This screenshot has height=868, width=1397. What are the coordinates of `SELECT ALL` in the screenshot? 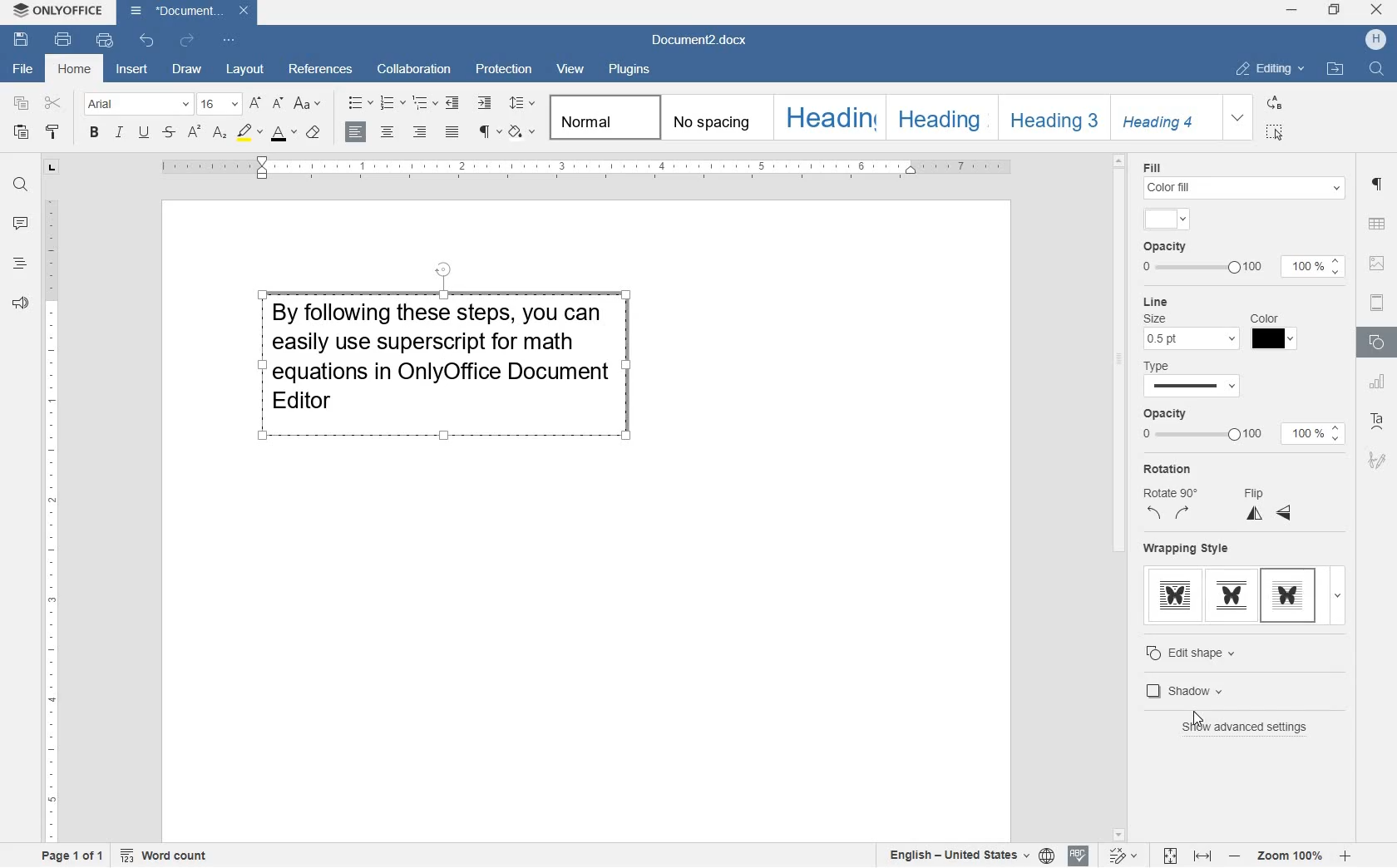 It's located at (1274, 132).